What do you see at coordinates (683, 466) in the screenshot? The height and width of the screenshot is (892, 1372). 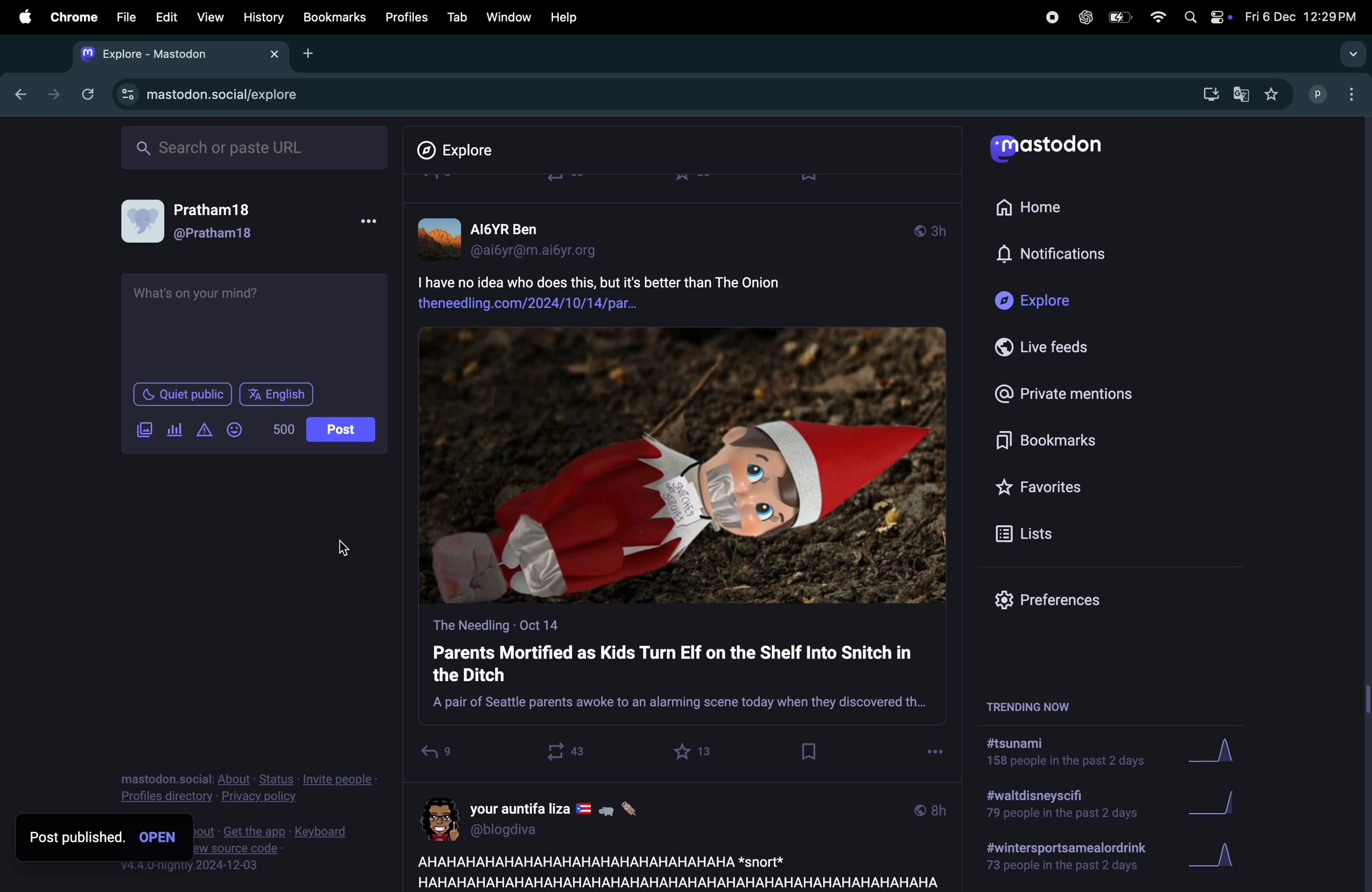 I see `image` at bounding box center [683, 466].